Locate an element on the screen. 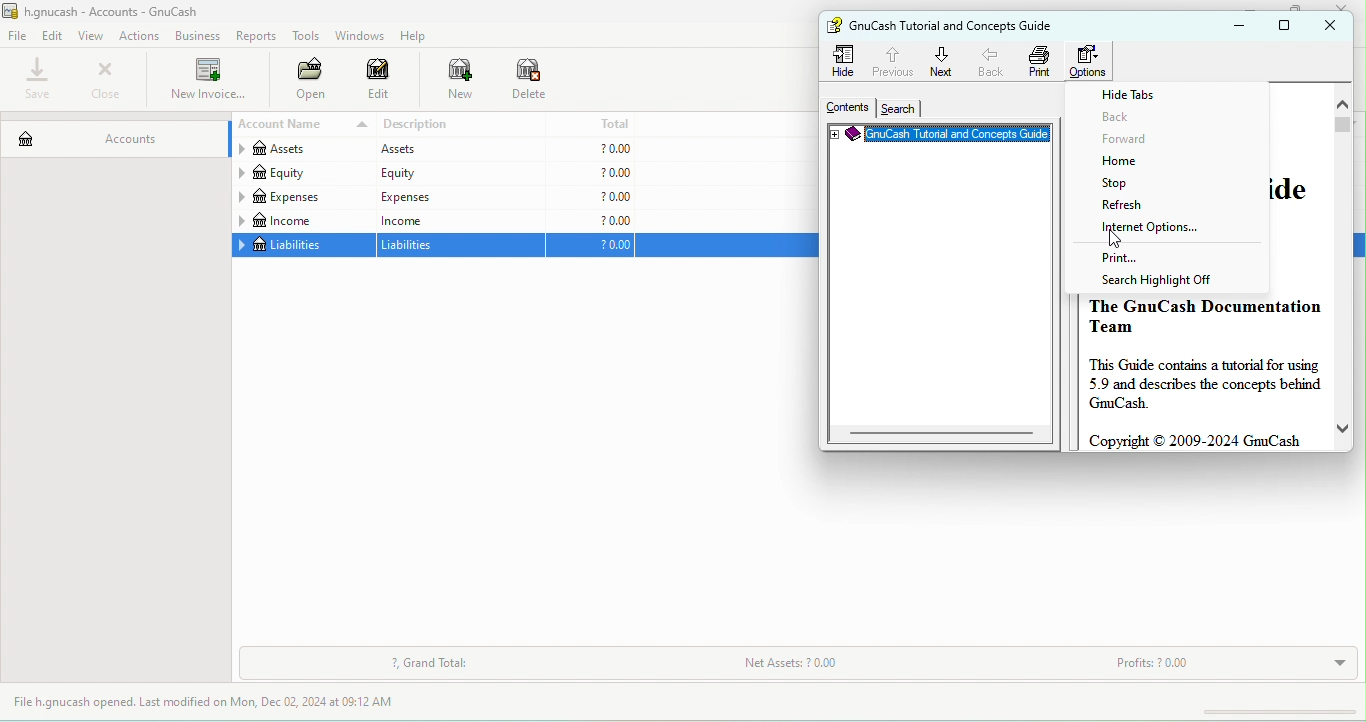  accounts is located at coordinates (112, 134).